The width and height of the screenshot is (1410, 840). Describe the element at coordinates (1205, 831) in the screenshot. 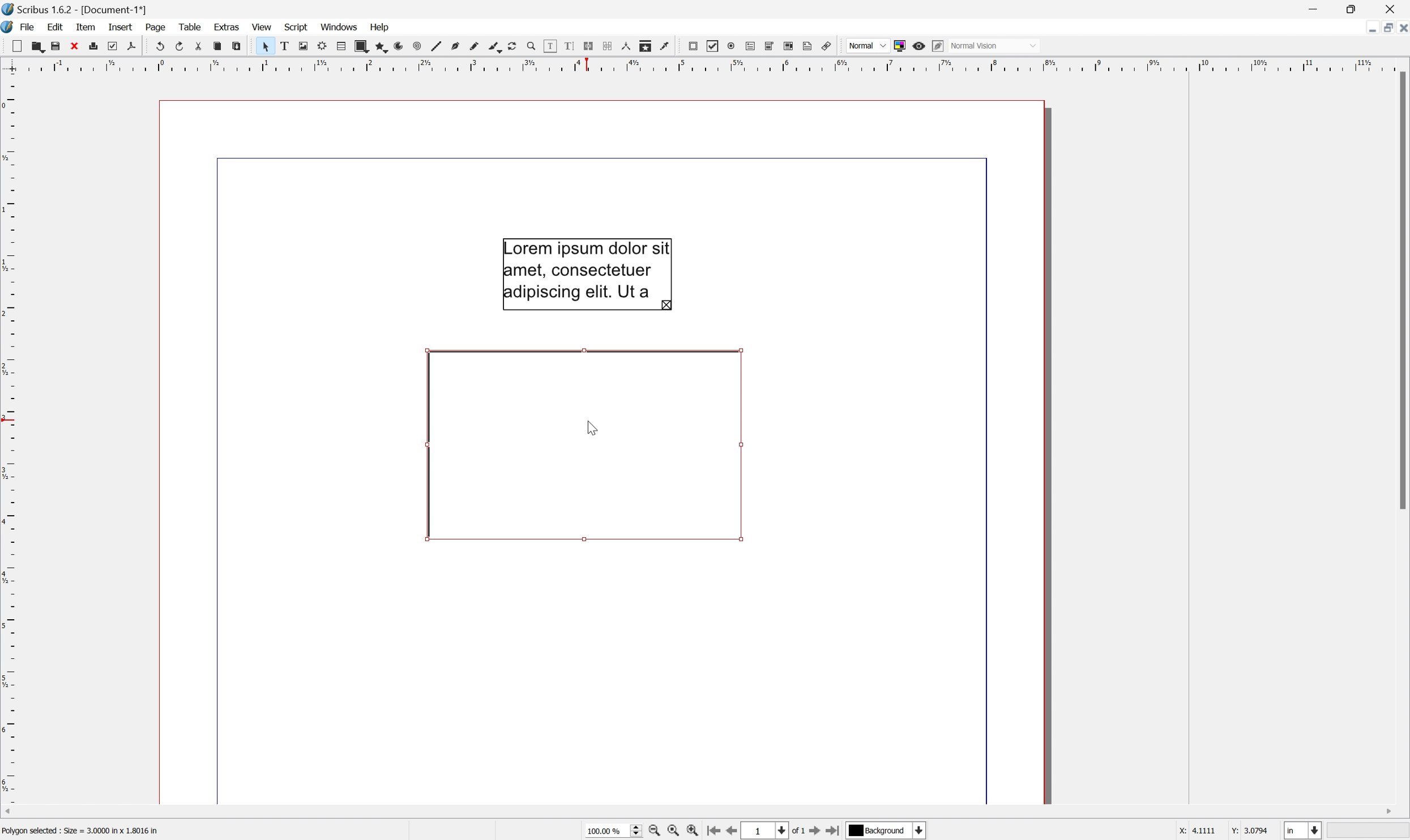

I see `4.1111` at that location.